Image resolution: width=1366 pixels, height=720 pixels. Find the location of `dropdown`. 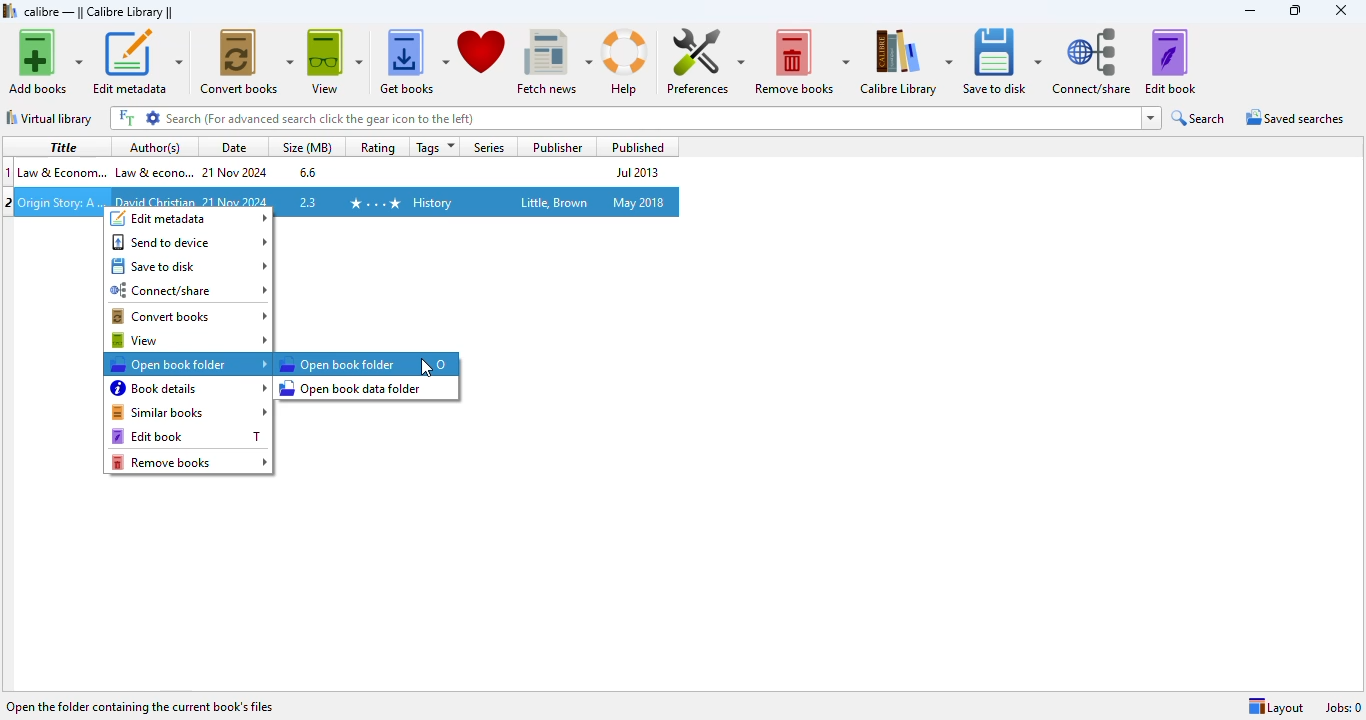

dropdown is located at coordinates (1152, 118).